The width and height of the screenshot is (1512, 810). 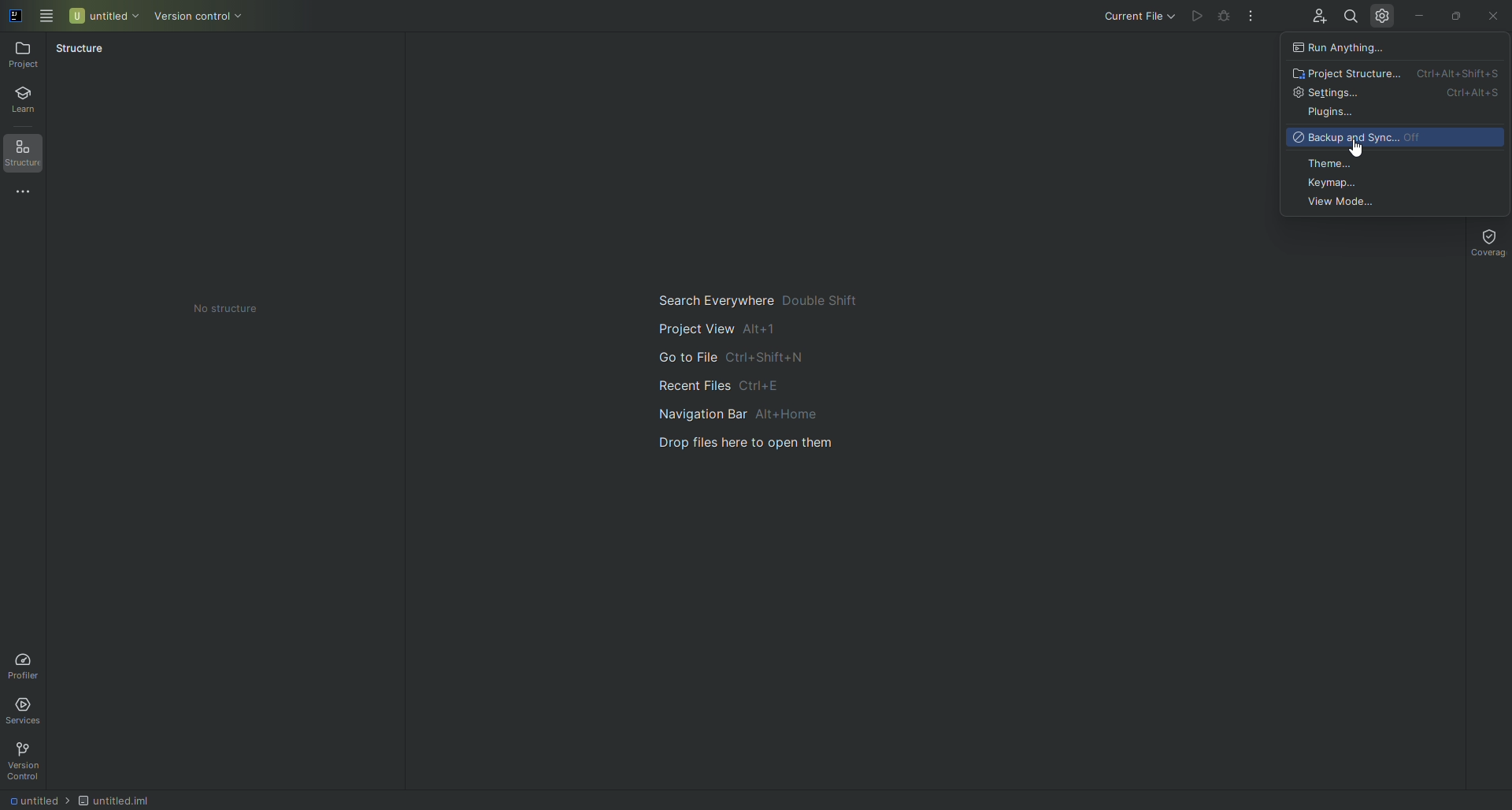 I want to click on Code With Me, so click(x=1315, y=19).